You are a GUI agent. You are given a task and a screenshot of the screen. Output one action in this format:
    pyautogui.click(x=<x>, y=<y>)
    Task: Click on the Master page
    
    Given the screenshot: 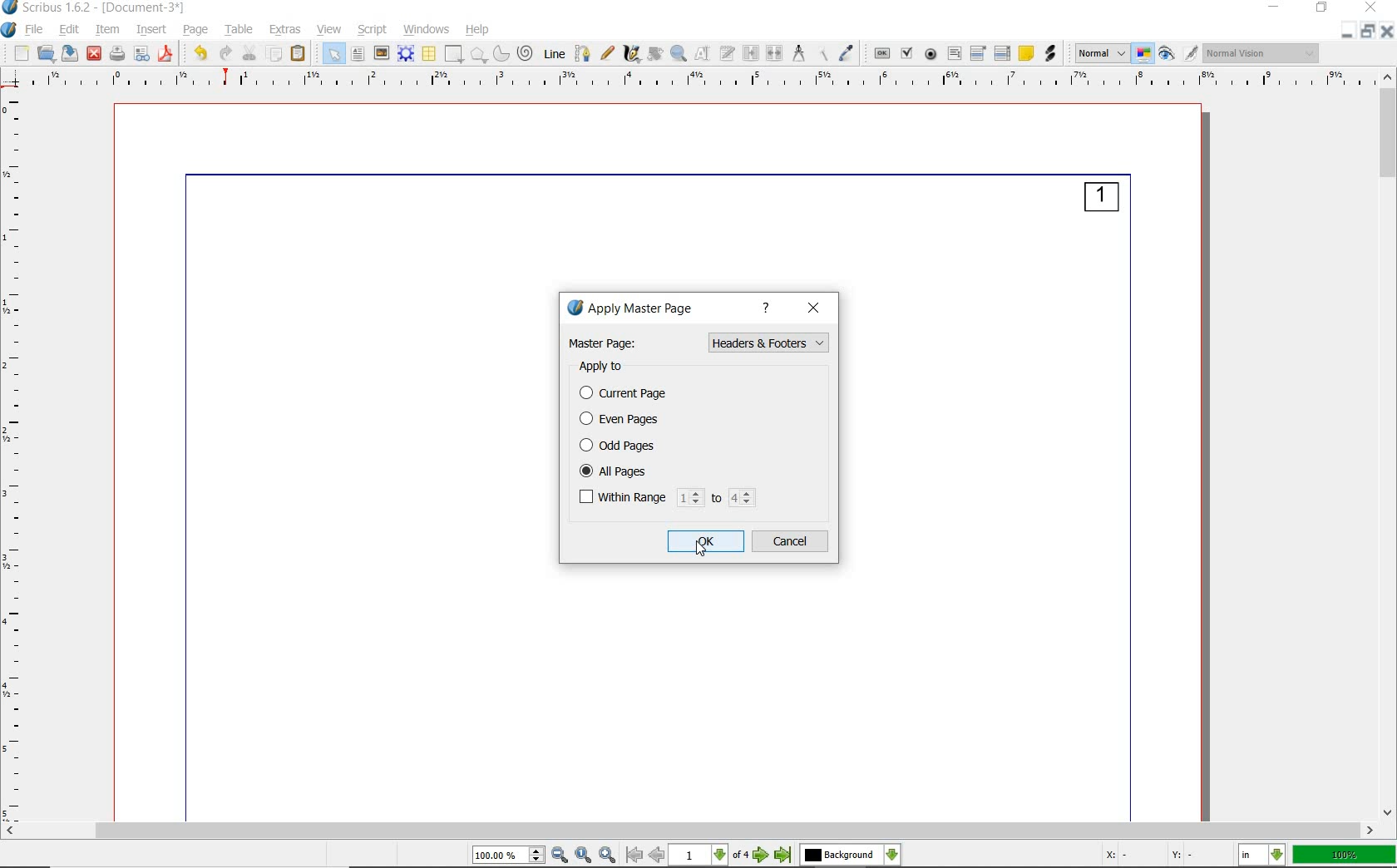 What is the action you would take?
    pyautogui.click(x=605, y=343)
    